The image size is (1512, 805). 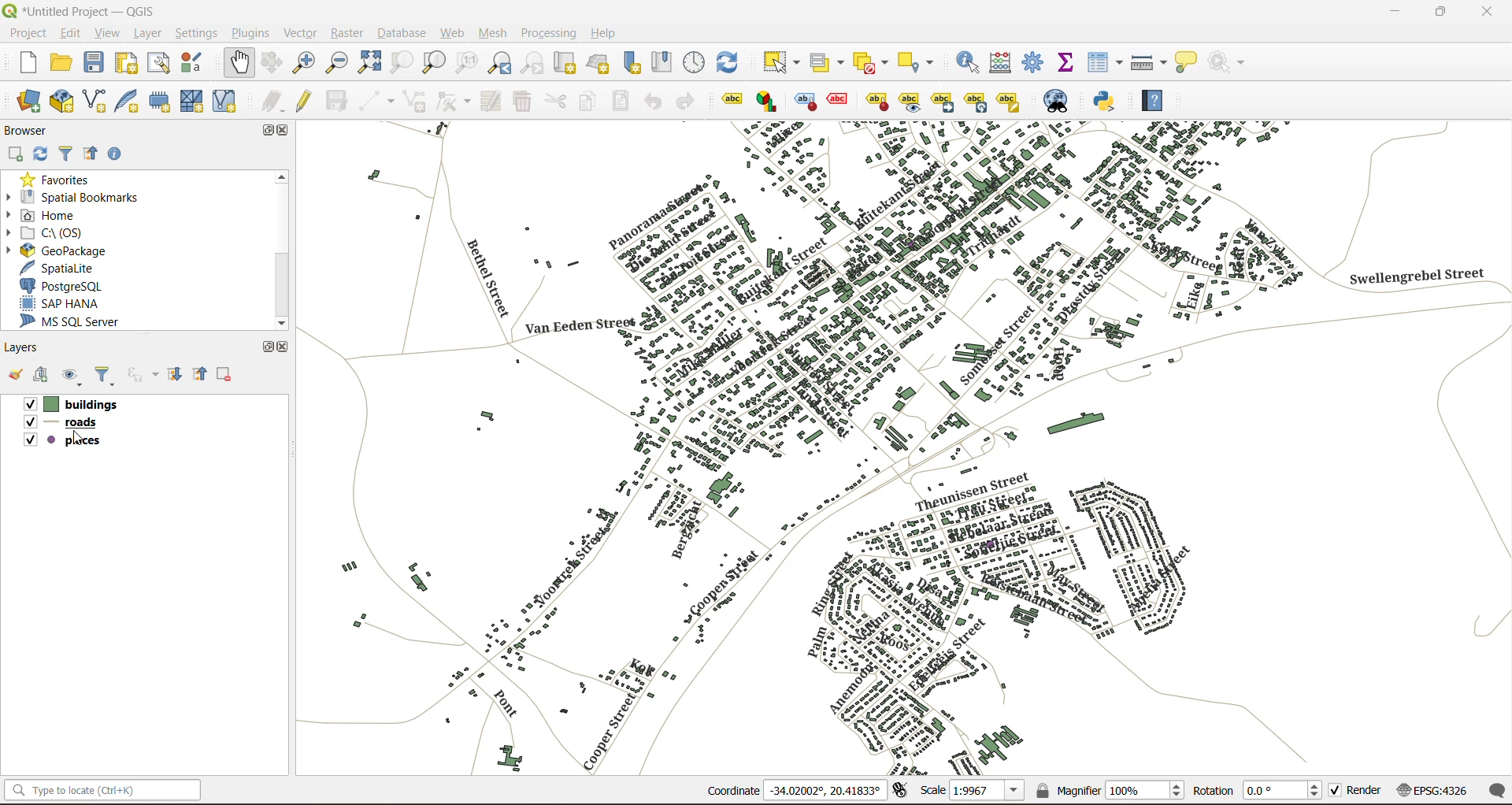 I want to click on redo, so click(x=683, y=102).